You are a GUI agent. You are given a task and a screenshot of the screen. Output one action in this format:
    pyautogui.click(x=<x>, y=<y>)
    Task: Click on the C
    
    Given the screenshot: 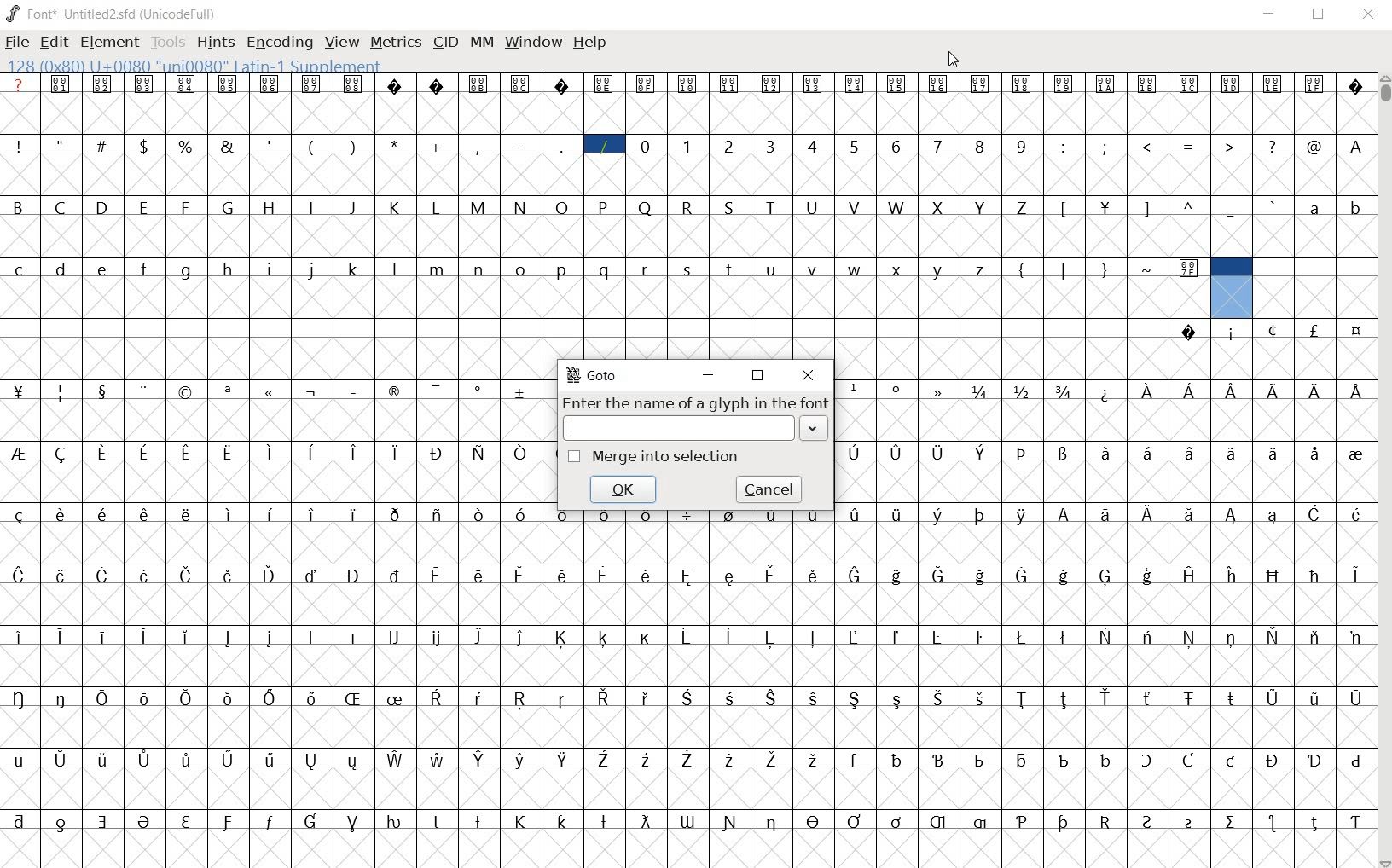 What is the action you would take?
    pyautogui.click(x=64, y=208)
    